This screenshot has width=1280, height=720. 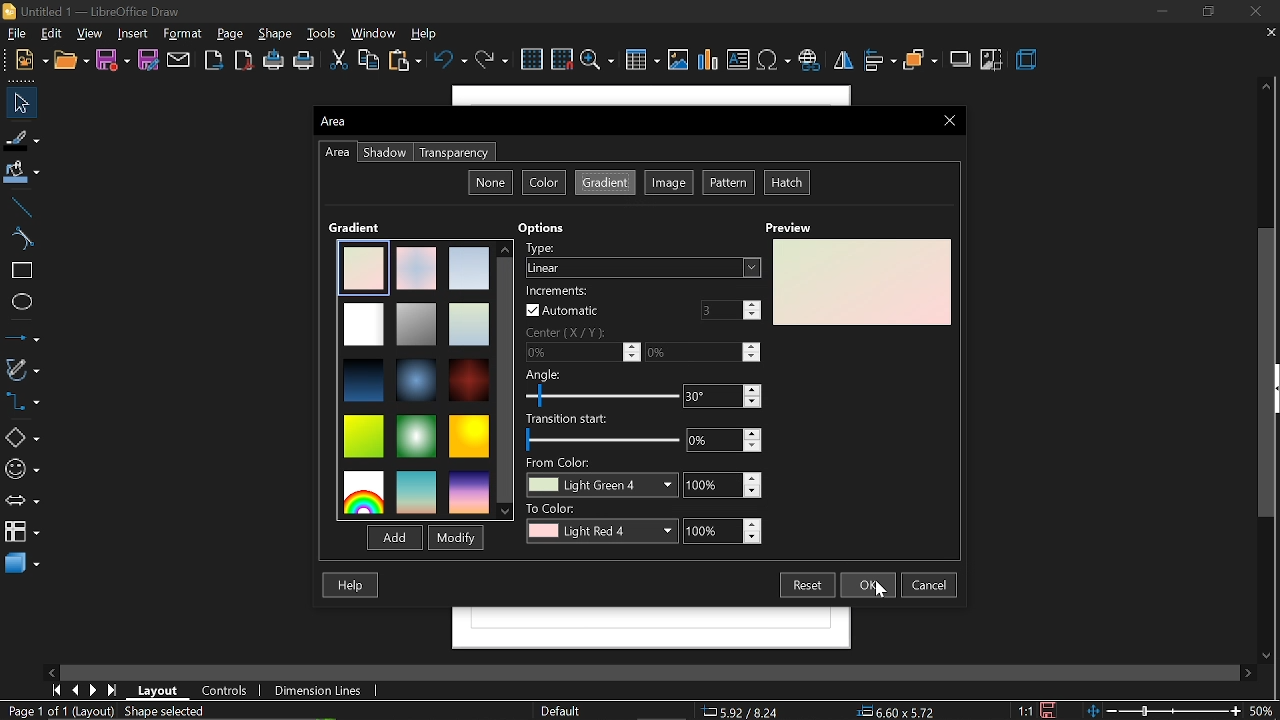 What do you see at coordinates (1023, 710) in the screenshot?
I see `scaling factor (1:1)` at bounding box center [1023, 710].